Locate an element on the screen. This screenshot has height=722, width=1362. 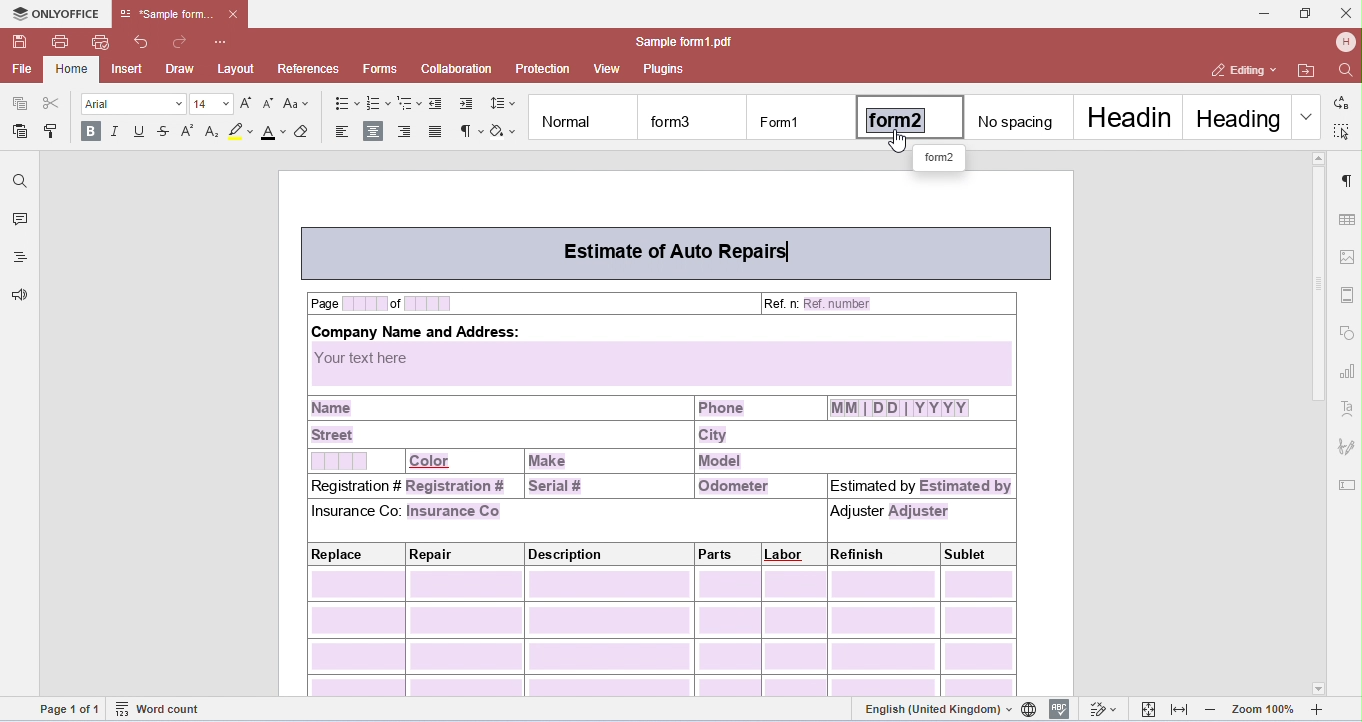
paste is located at coordinates (21, 131).